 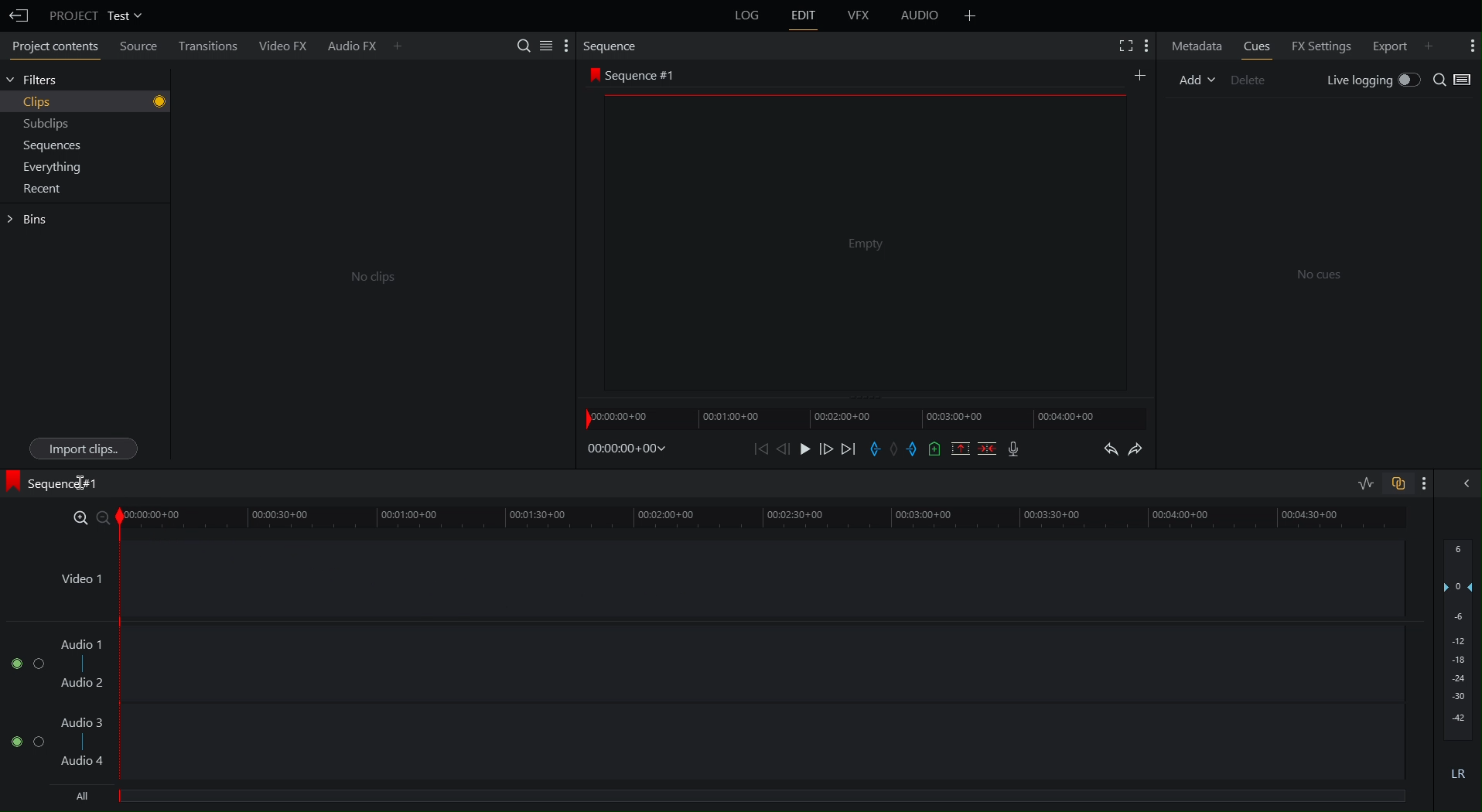 What do you see at coordinates (612, 45) in the screenshot?
I see `Sequence` at bounding box center [612, 45].